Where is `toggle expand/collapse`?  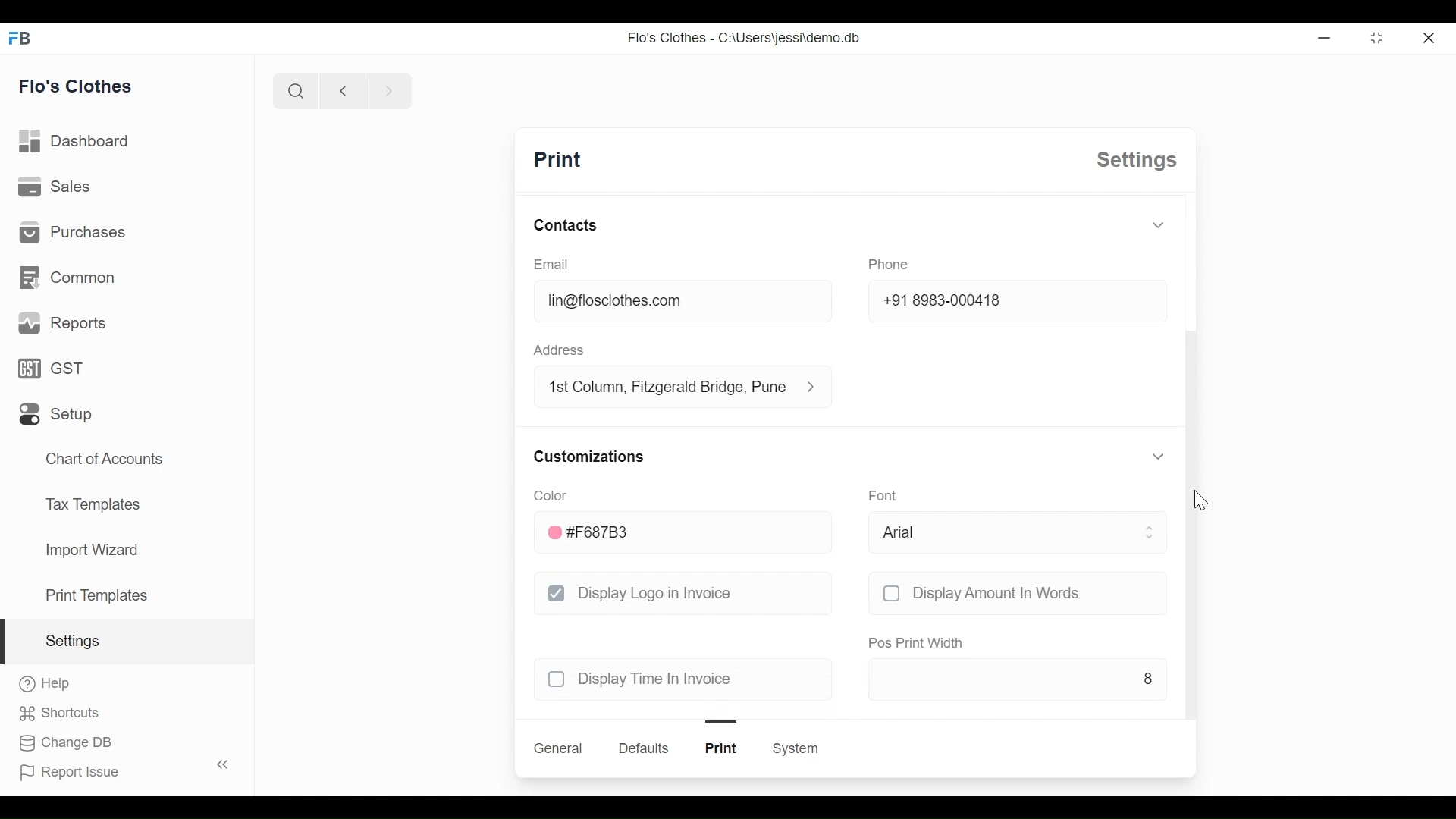 toggle expand/collapse is located at coordinates (1158, 224).